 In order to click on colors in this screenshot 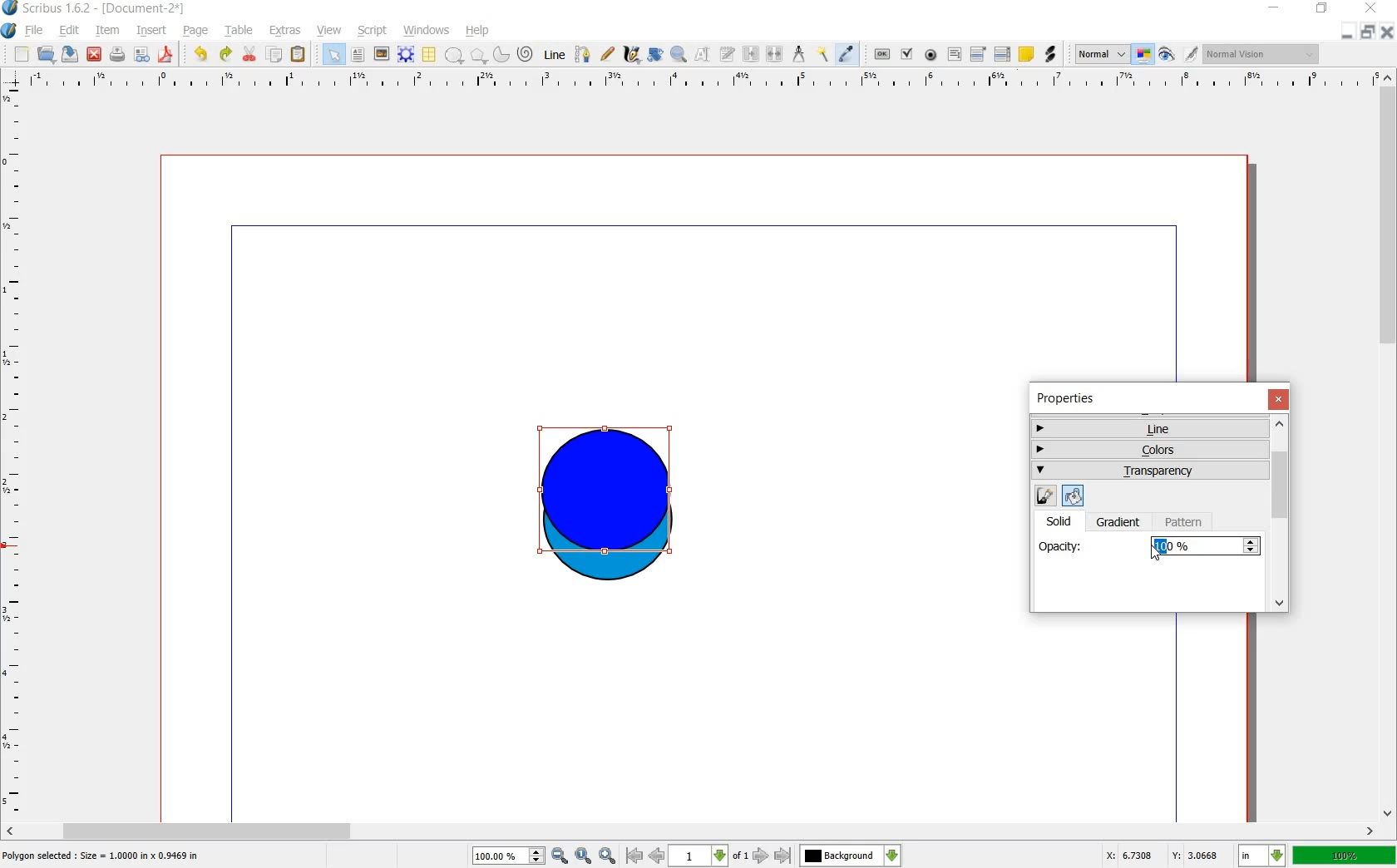, I will do `click(1151, 447)`.